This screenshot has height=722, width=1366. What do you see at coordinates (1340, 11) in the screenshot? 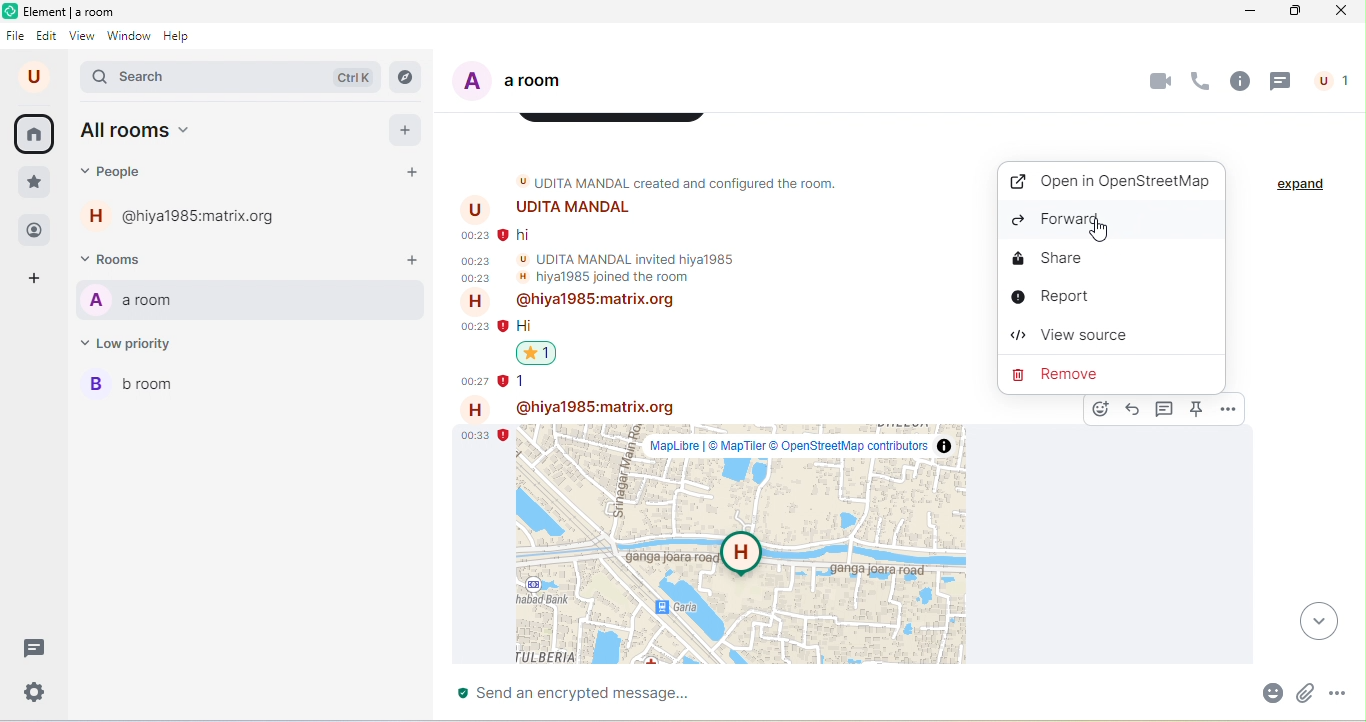
I see `close` at bounding box center [1340, 11].